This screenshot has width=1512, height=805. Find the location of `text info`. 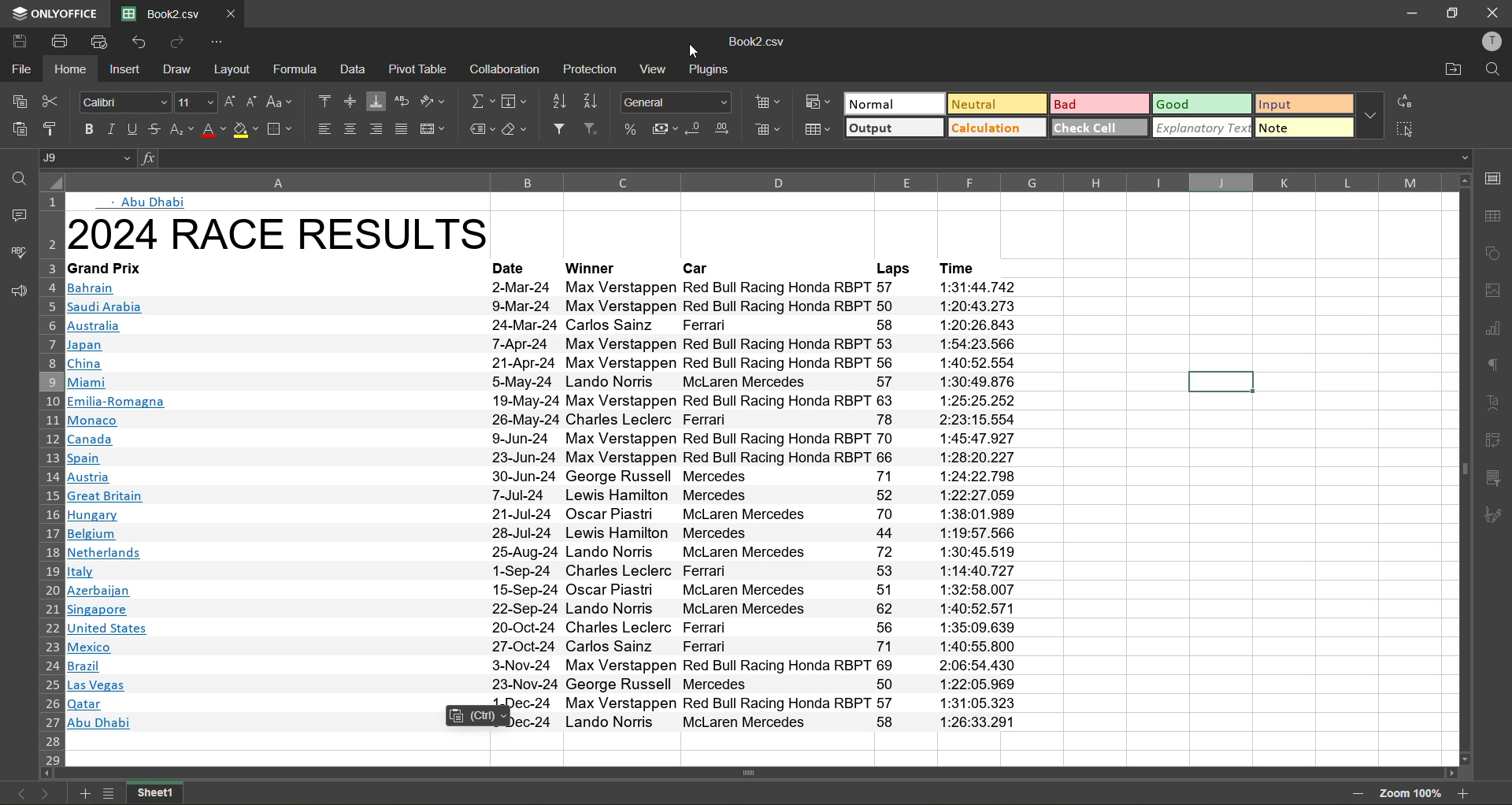

text info is located at coordinates (545, 476).